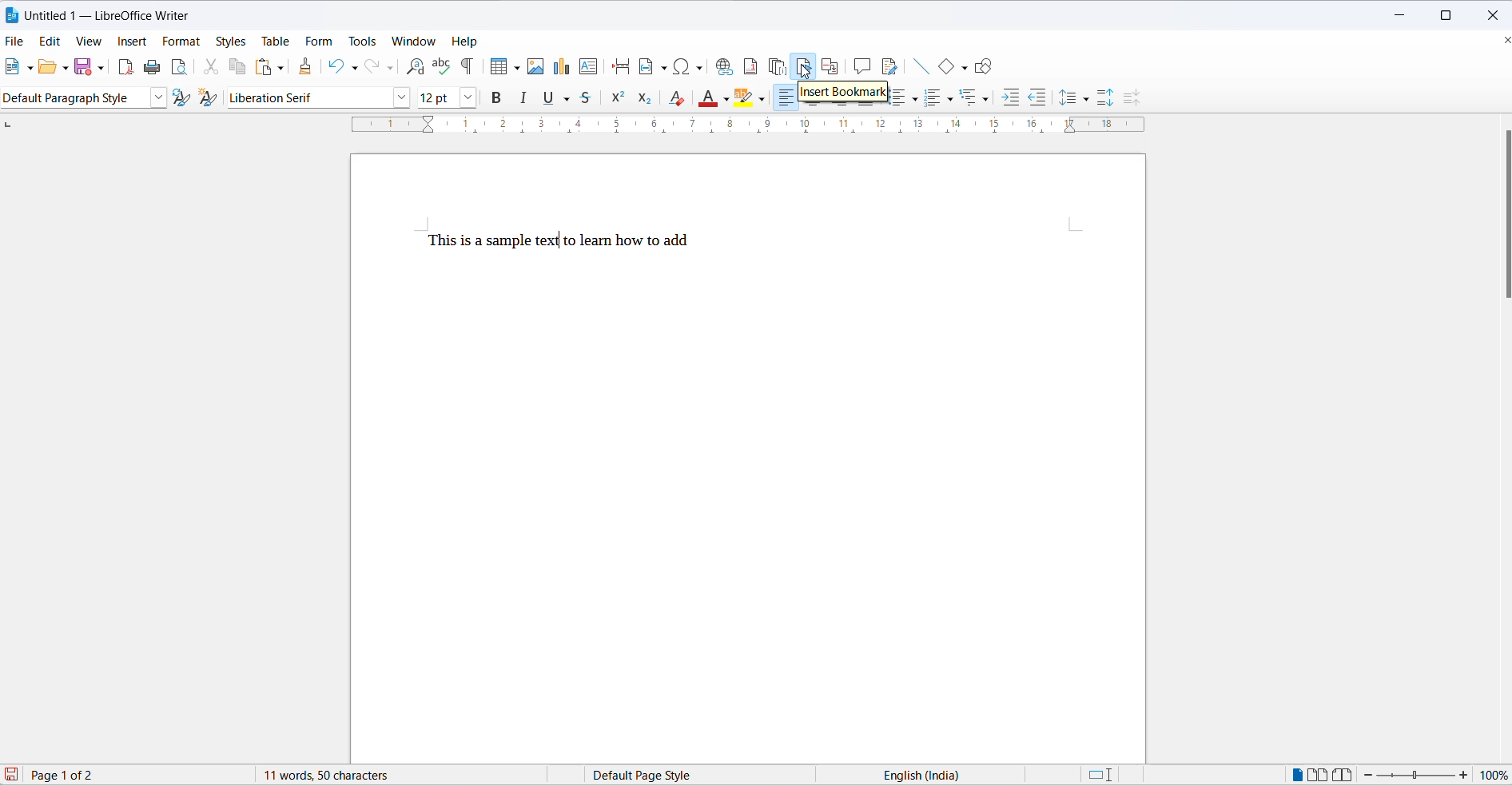 The height and width of the screenshot is (786, 1512). What do you see at coordinates (307, 98) in the screenshot?
I see `font name` at bounding box center [307, 98].